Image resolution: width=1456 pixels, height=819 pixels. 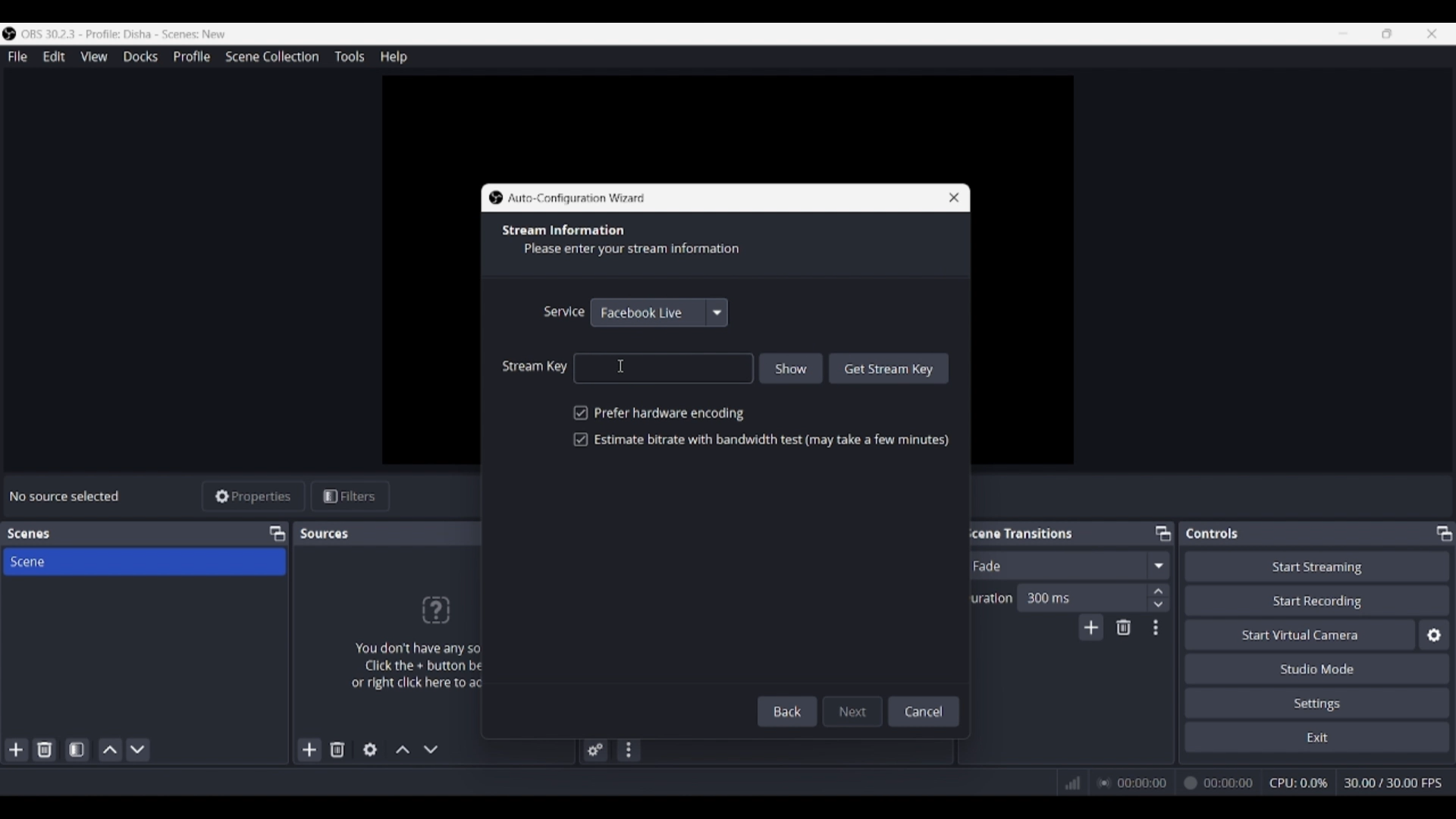 What do you see at coordinates (595, 750) in the screenshot?
I see `Advanced audio properties` at bounding box center [595, 750].